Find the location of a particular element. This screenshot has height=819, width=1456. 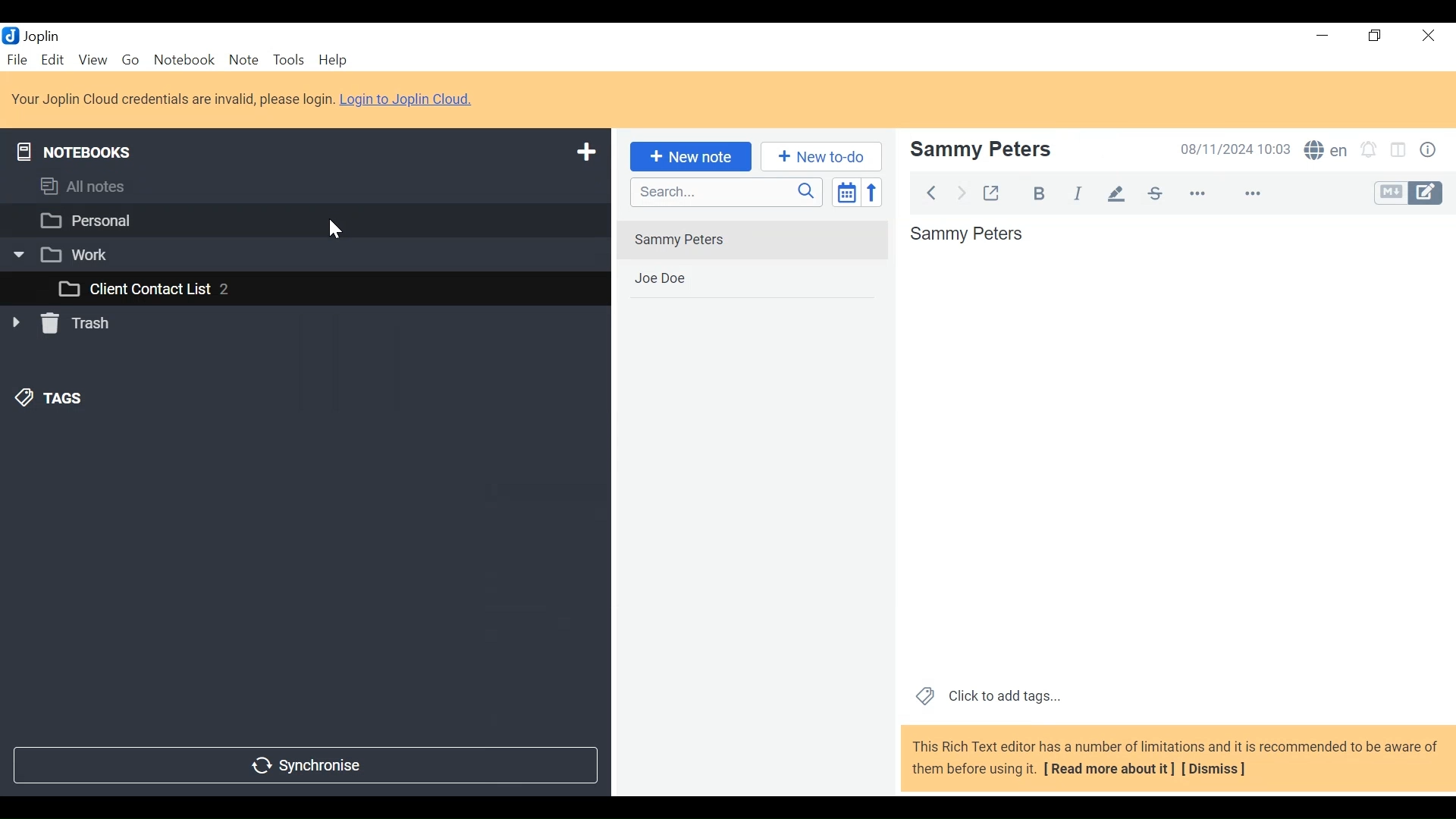

Tools is located at coordinates (287, 61).